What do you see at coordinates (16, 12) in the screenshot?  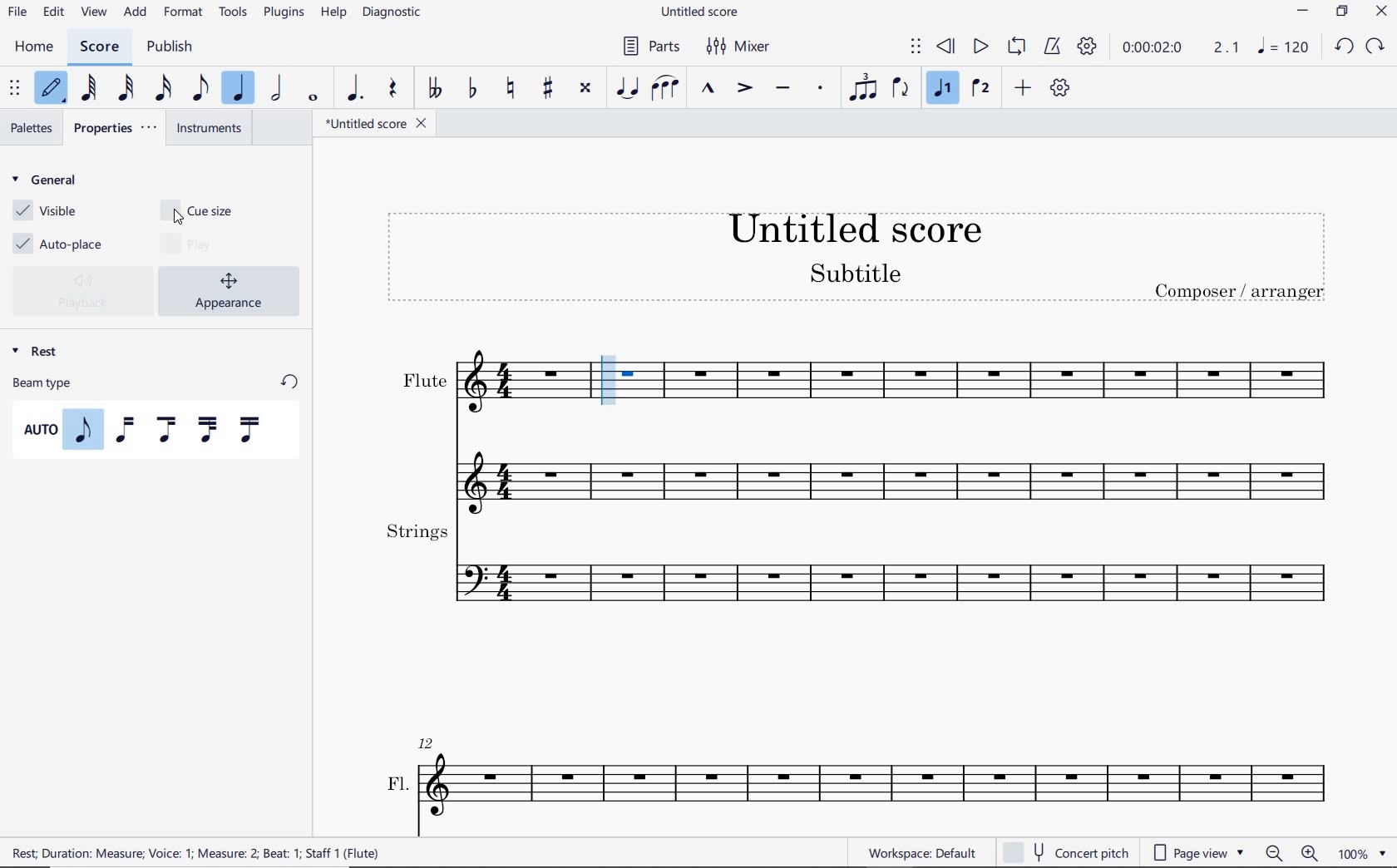 I see `file` at bounding box center [16, 12].